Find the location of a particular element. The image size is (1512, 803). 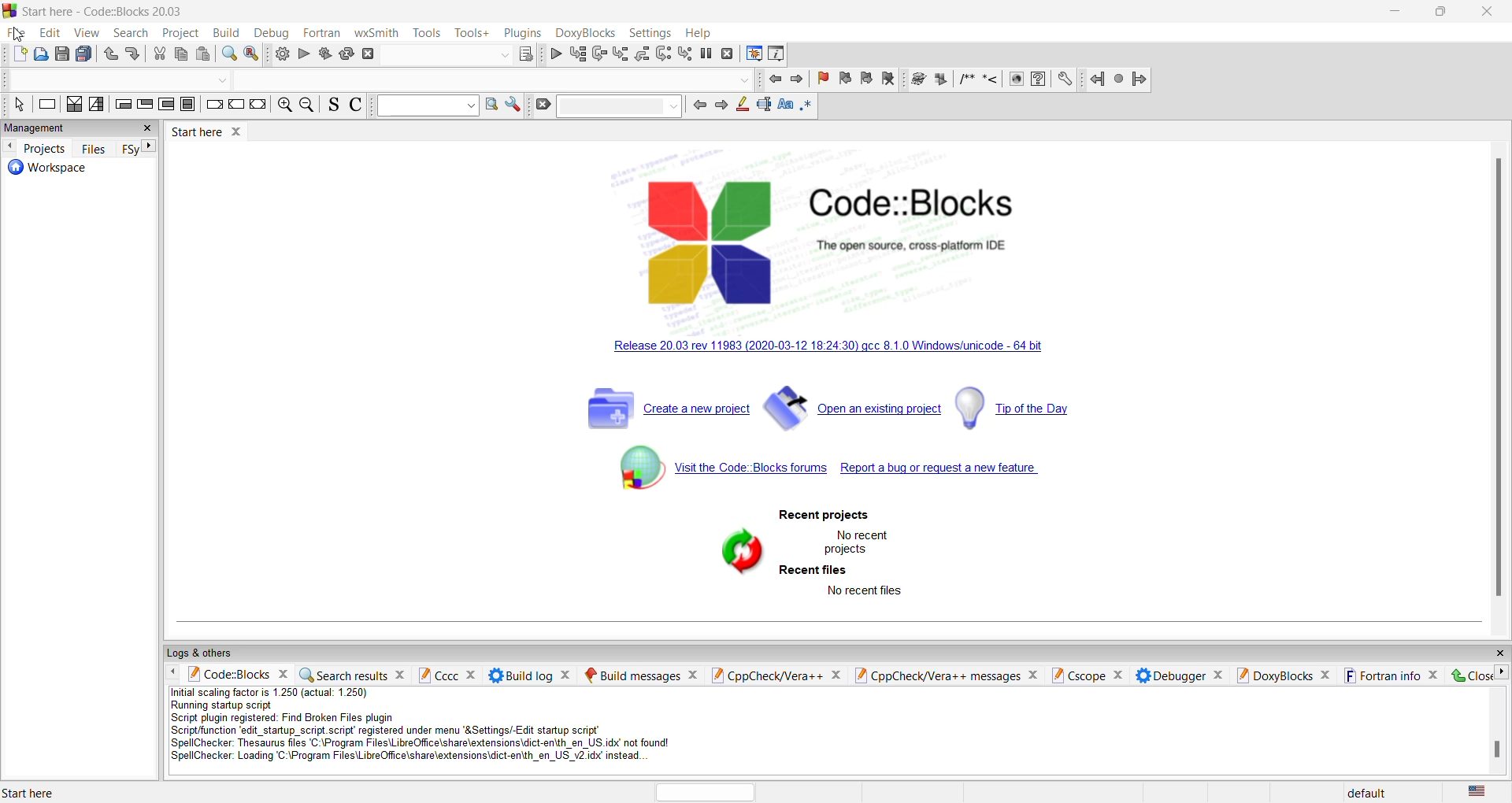

scrollbar is located at coordinates (1497, 749).